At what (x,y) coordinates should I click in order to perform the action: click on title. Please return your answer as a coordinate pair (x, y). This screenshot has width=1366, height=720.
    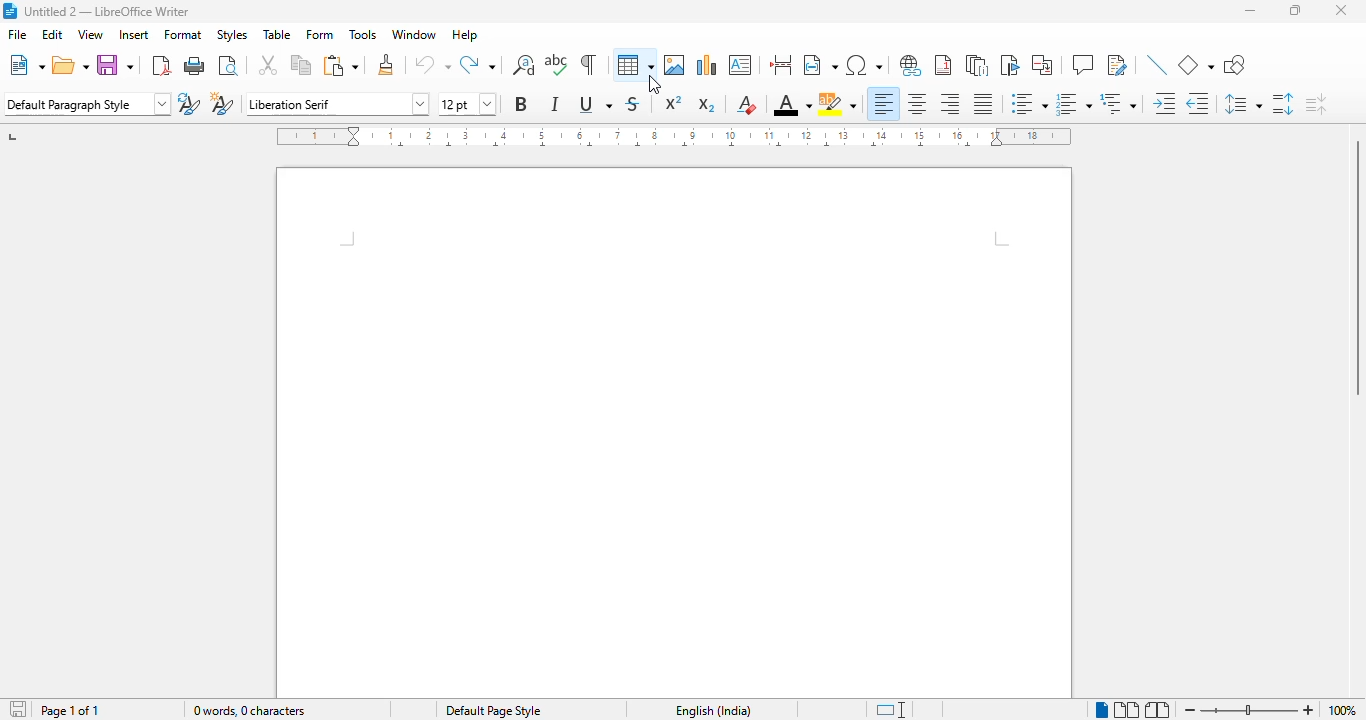
    Looking at the image, I should click on (108, 12).